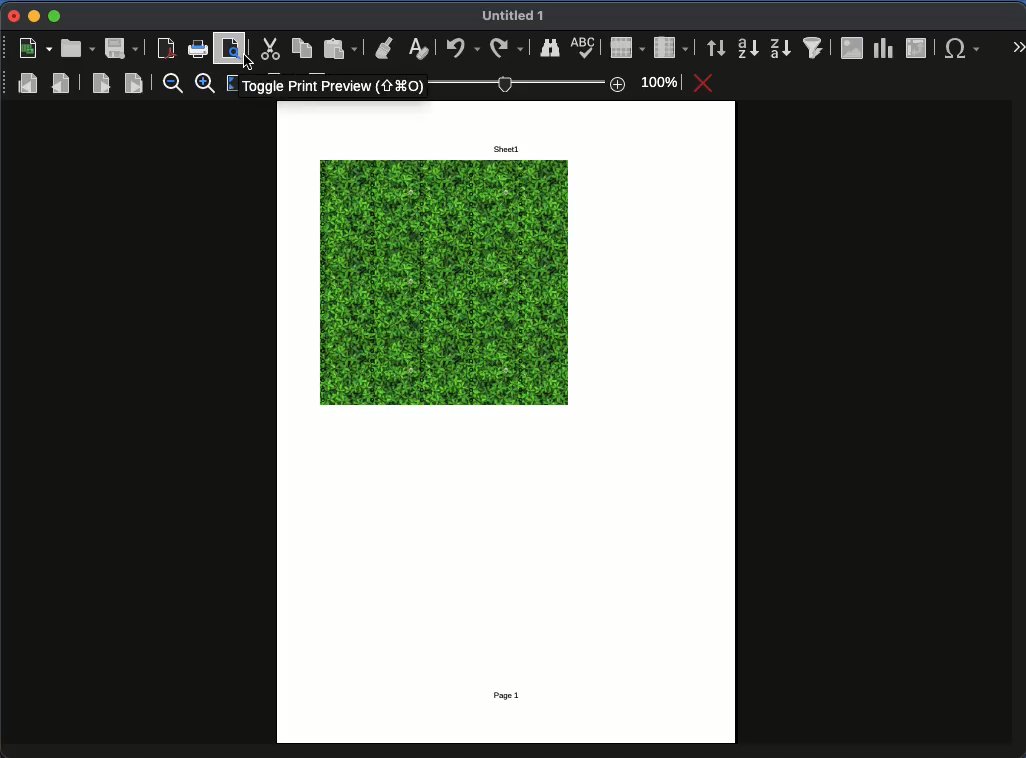 The image size is (1026, 758). I want to click on clone formatting, so click(384, 47).